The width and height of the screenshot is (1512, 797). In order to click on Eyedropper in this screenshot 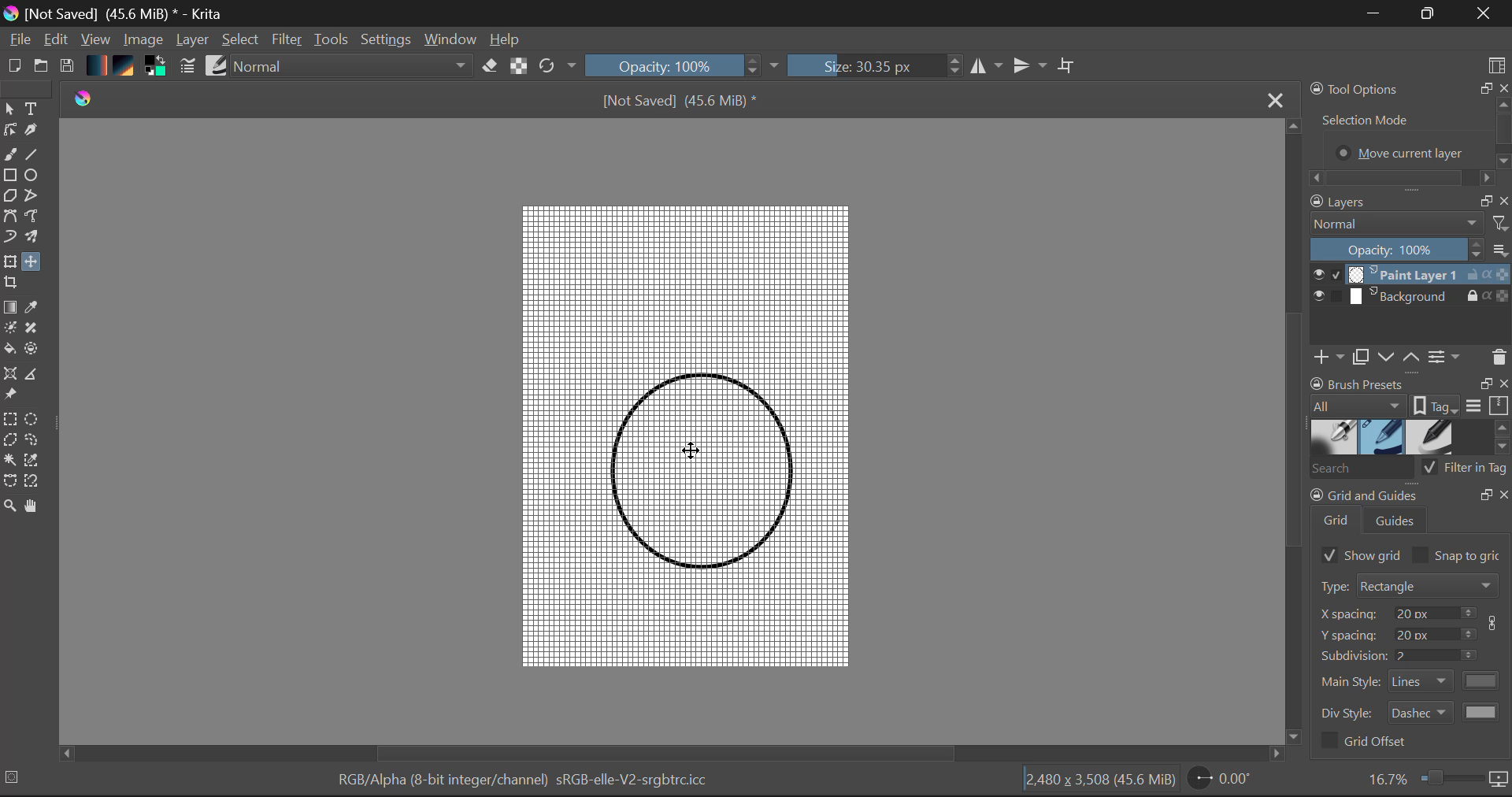, I will do `click(35, 309)`.